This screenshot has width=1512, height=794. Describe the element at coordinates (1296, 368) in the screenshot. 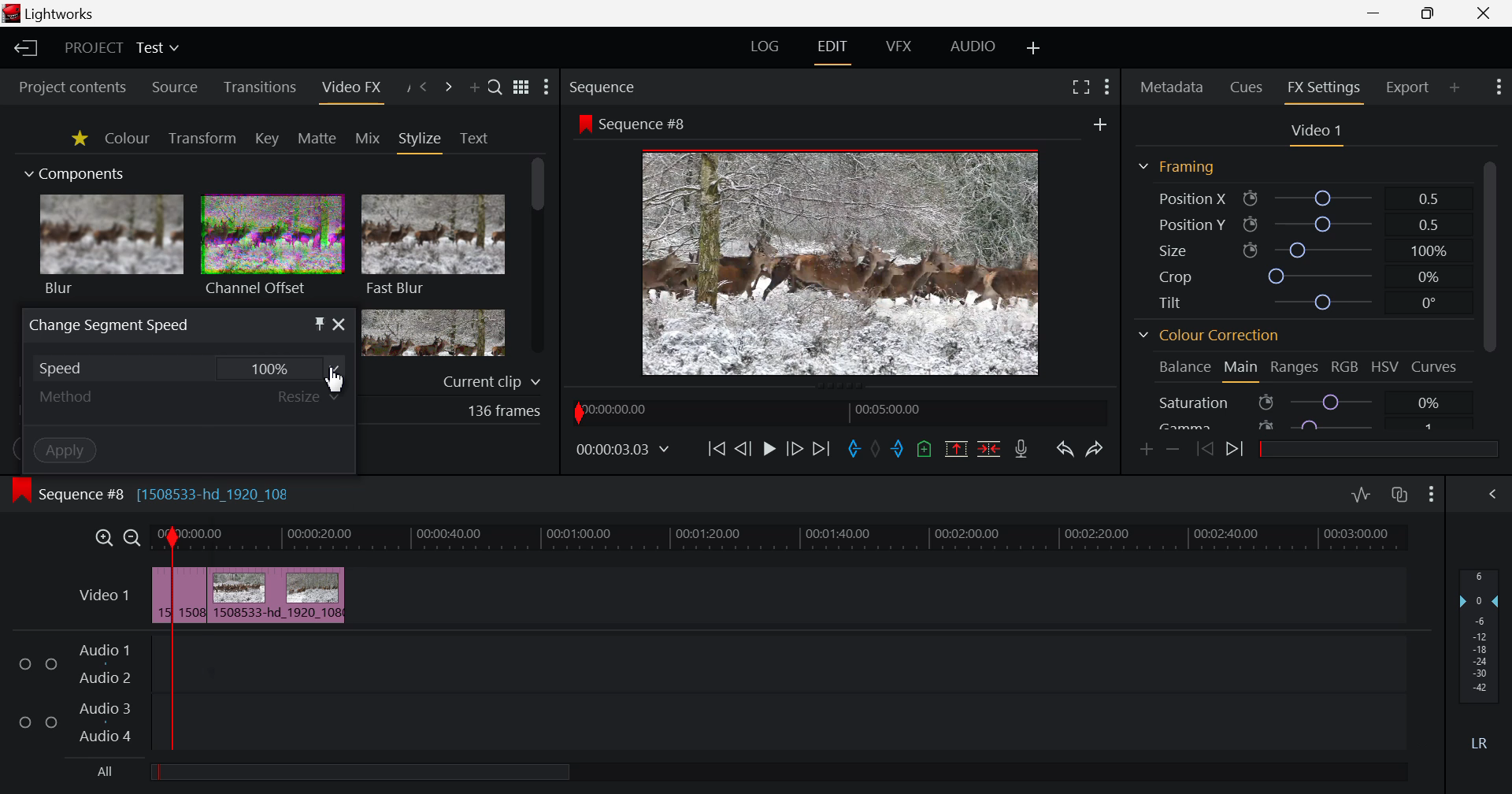

I see `Ranges` at that location.